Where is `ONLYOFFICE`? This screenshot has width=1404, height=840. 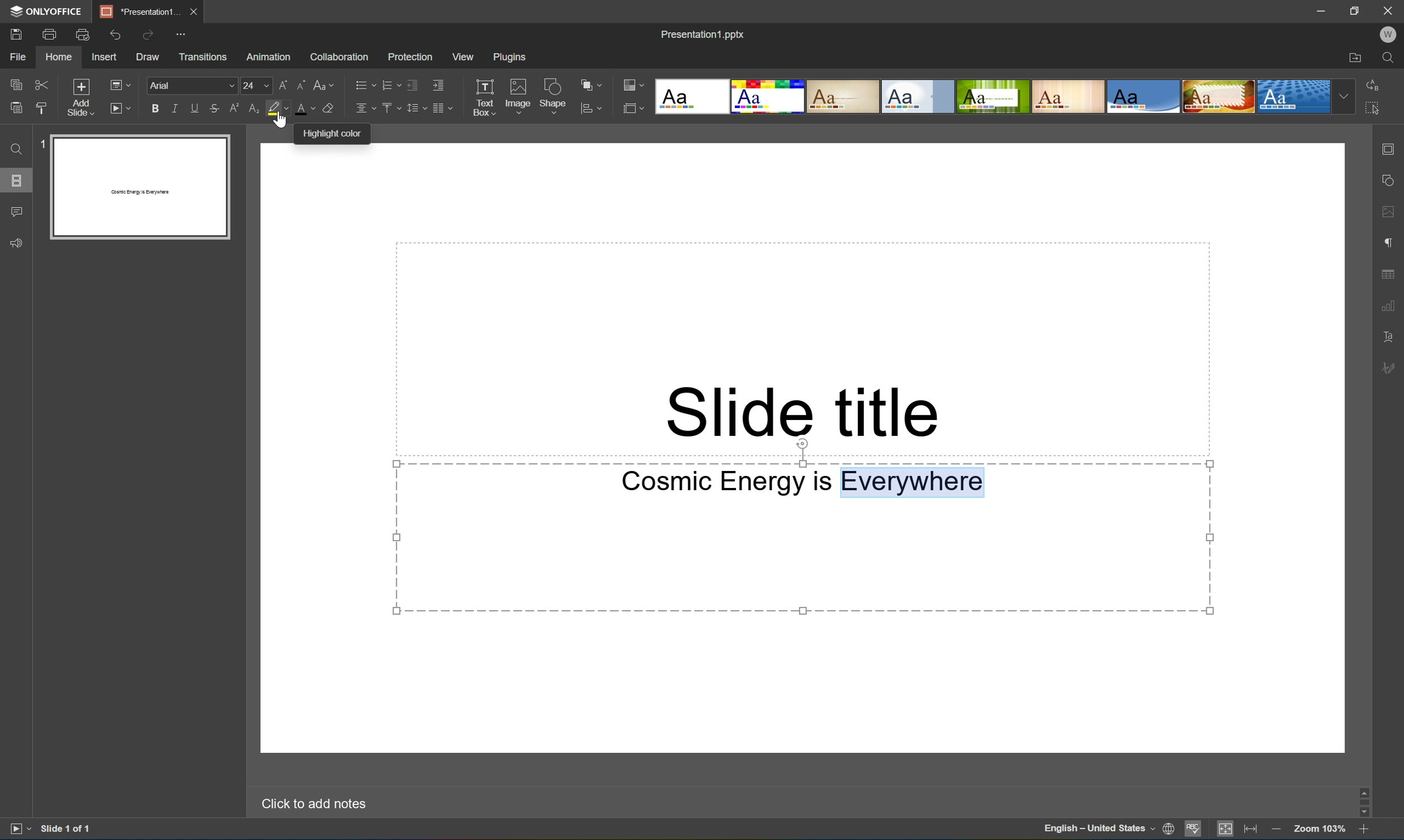 ONLYOFFICE is located at coordinates (48, 12).